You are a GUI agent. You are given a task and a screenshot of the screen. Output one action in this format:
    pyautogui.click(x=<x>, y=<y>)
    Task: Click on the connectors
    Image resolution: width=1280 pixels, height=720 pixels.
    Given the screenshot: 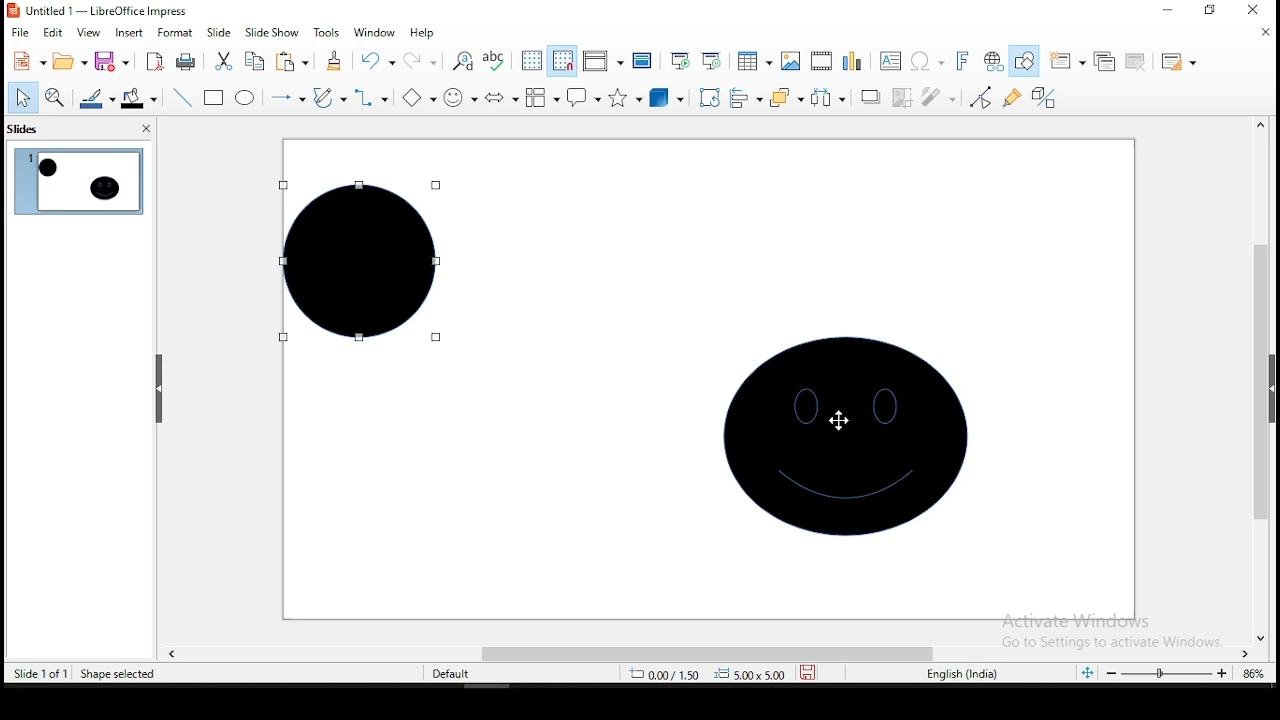 What is the action you would take?
    pyautogui.click(x=372, y=97)
    